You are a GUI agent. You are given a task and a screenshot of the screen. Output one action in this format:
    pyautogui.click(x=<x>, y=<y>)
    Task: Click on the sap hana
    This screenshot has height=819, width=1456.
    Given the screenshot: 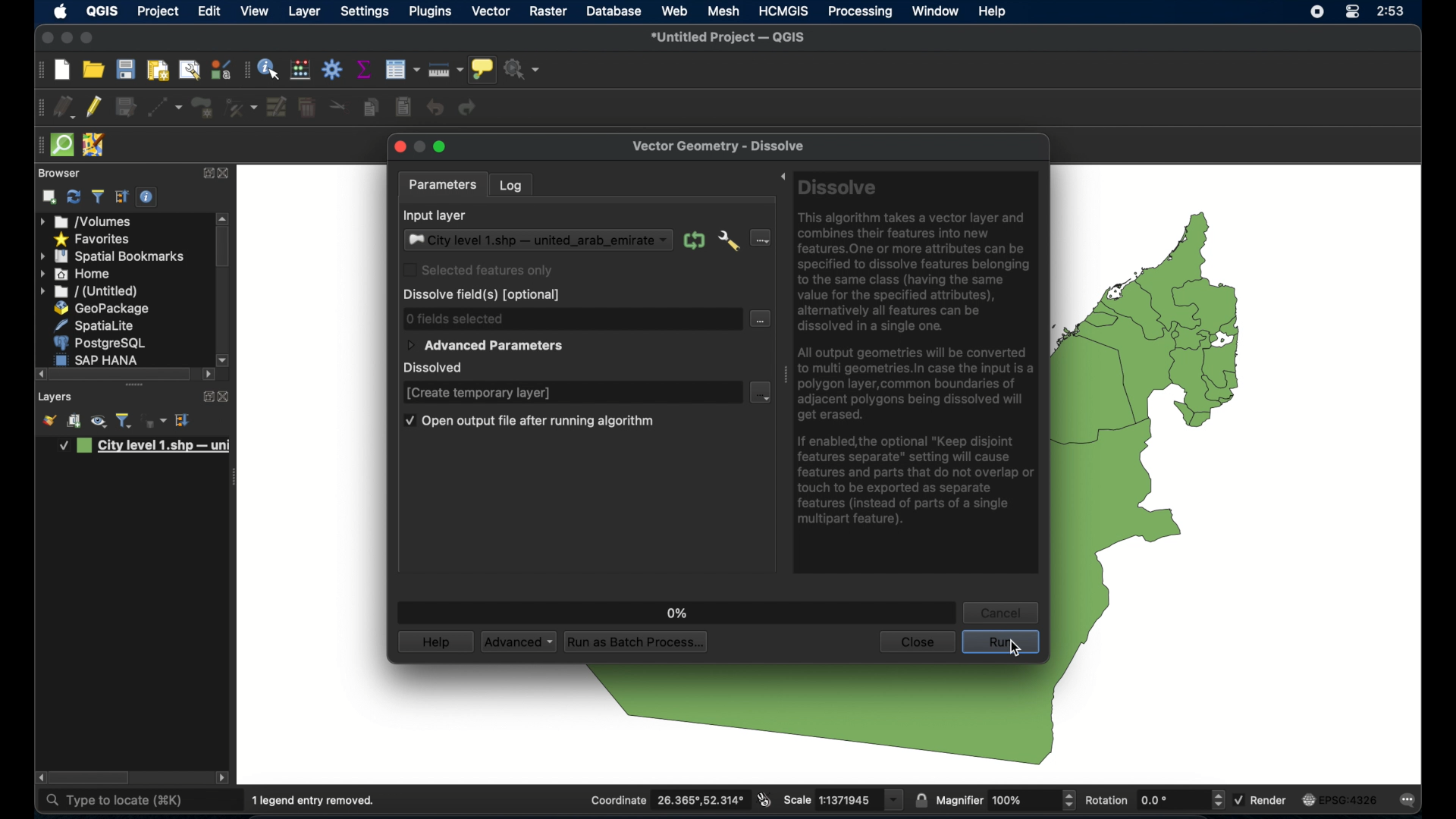 What is the action you would take?
    pyautogui.click(x=100, y=359)
    